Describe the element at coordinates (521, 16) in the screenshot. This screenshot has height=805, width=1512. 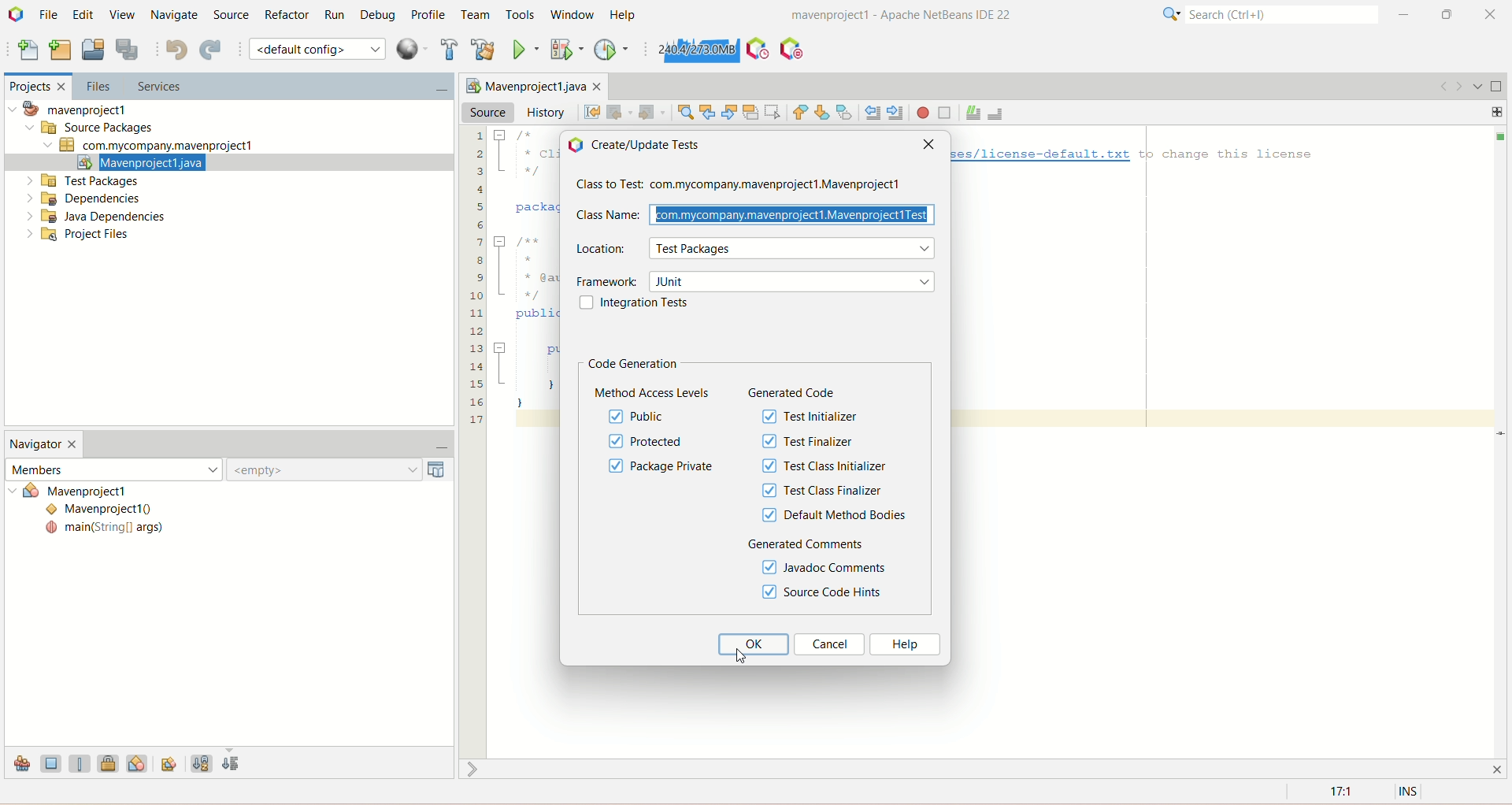
I see `tools` at that location.